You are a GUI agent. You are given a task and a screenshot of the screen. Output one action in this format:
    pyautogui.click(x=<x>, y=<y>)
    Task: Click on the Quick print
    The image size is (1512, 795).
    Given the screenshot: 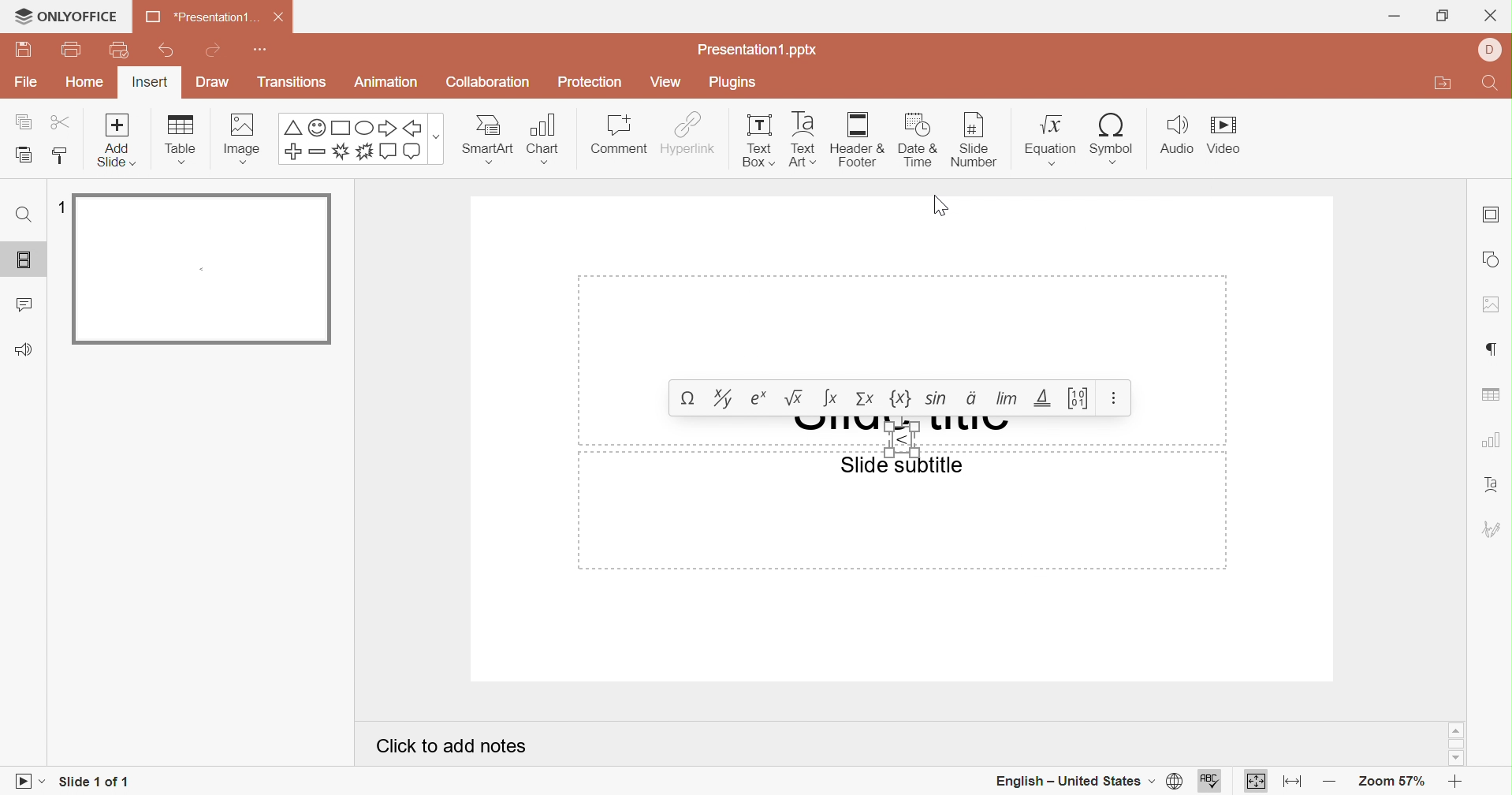 What is the action you would take?
    pyautogui.click(x=121, y=50)
    